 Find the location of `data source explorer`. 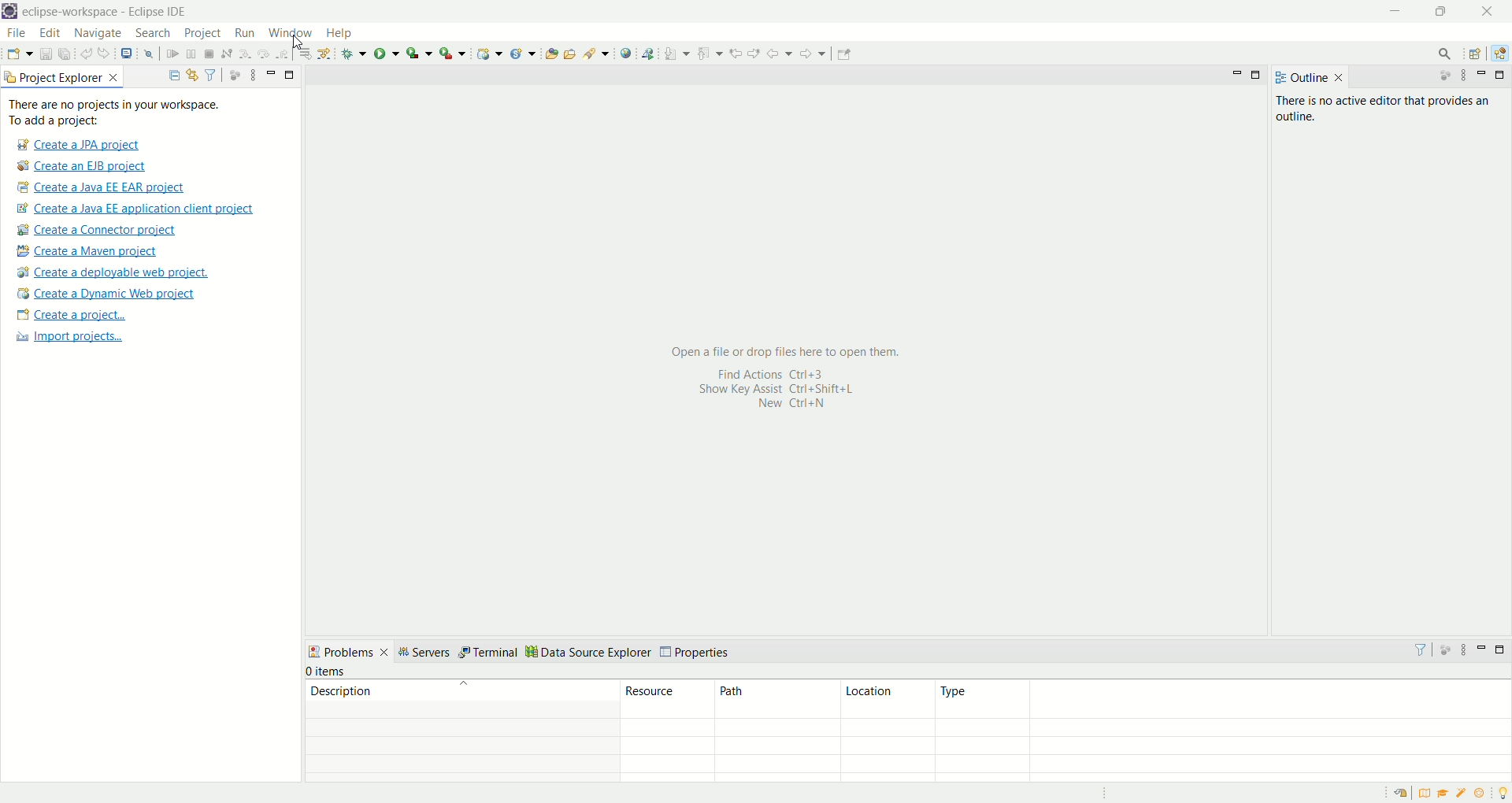

data source explorer is located at coordinates (591, 651).